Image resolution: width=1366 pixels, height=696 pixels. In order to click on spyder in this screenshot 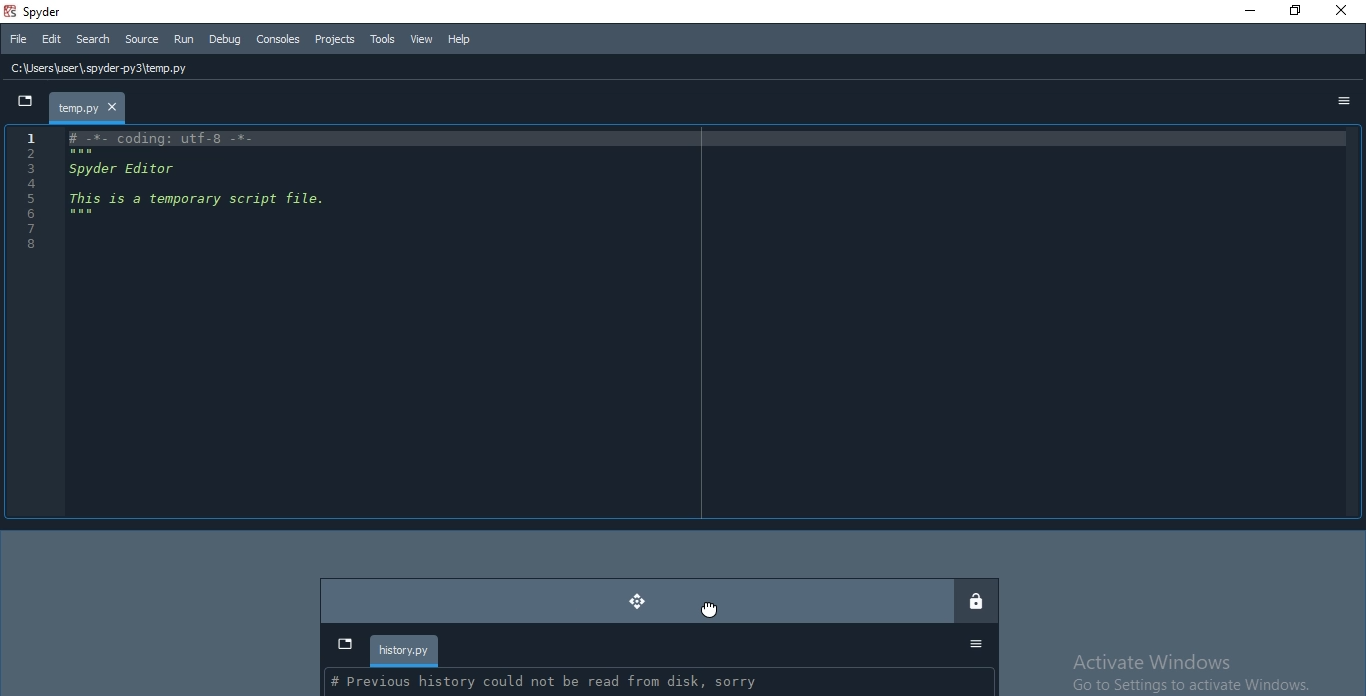, I will do `click(40, 12)`.